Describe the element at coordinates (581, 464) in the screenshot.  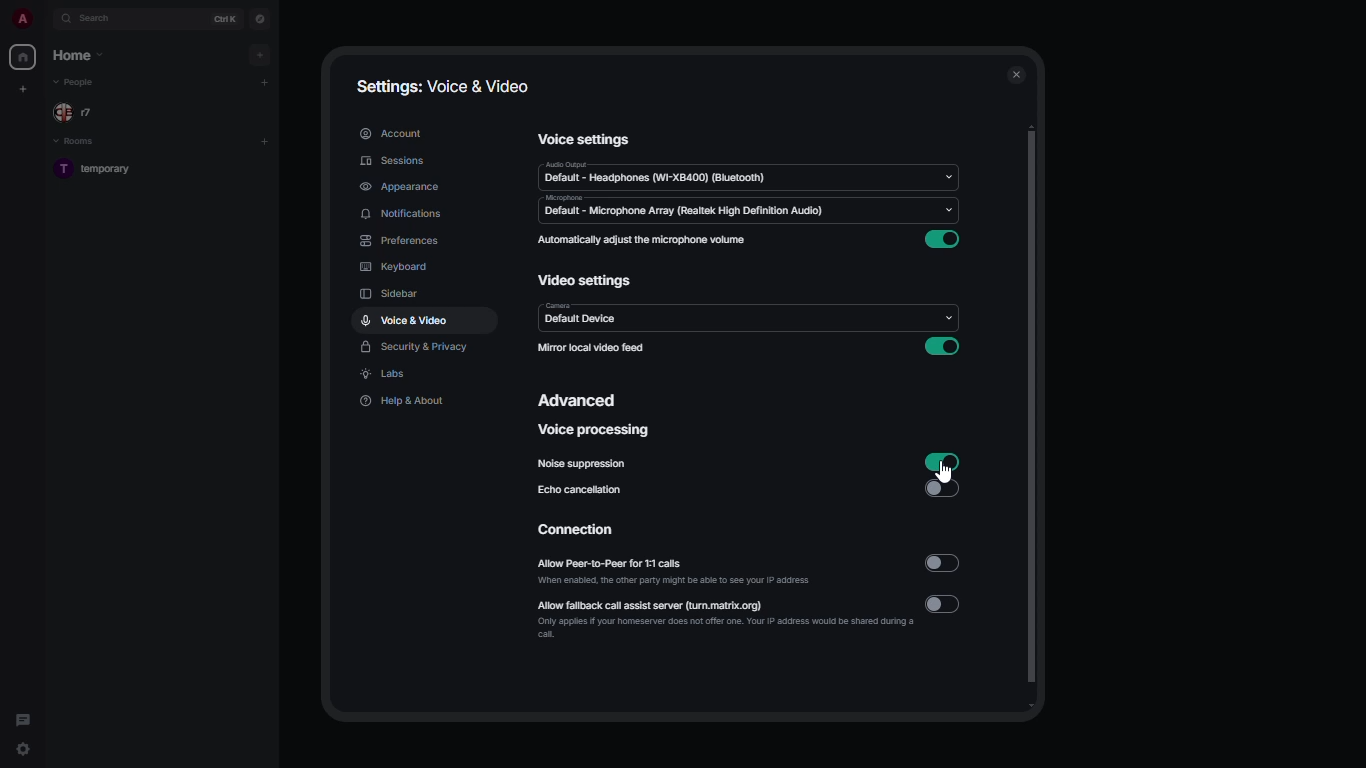
I see `noise suppression` at that location.